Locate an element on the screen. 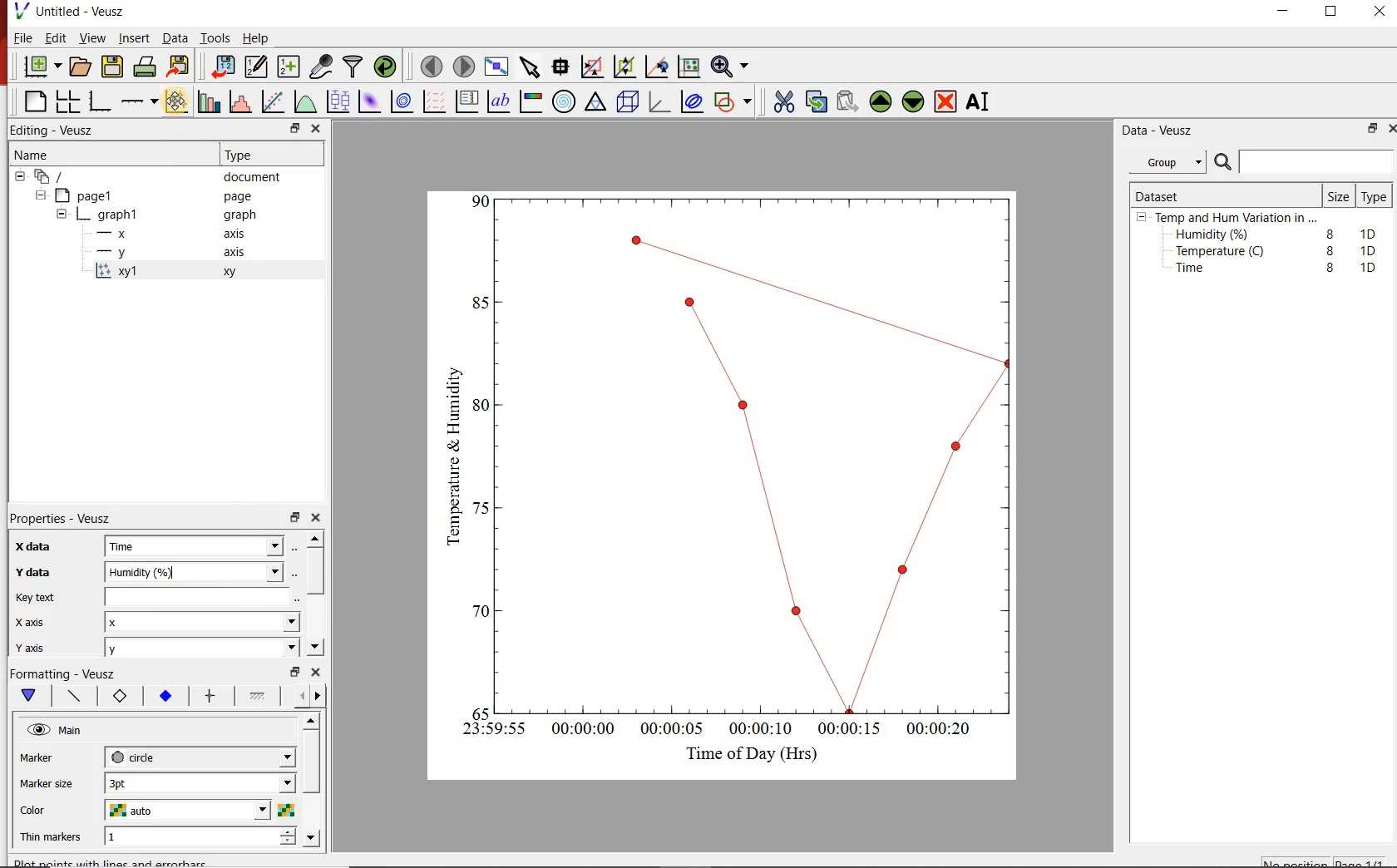  00:00:15 is located at coordinates (850, 727).